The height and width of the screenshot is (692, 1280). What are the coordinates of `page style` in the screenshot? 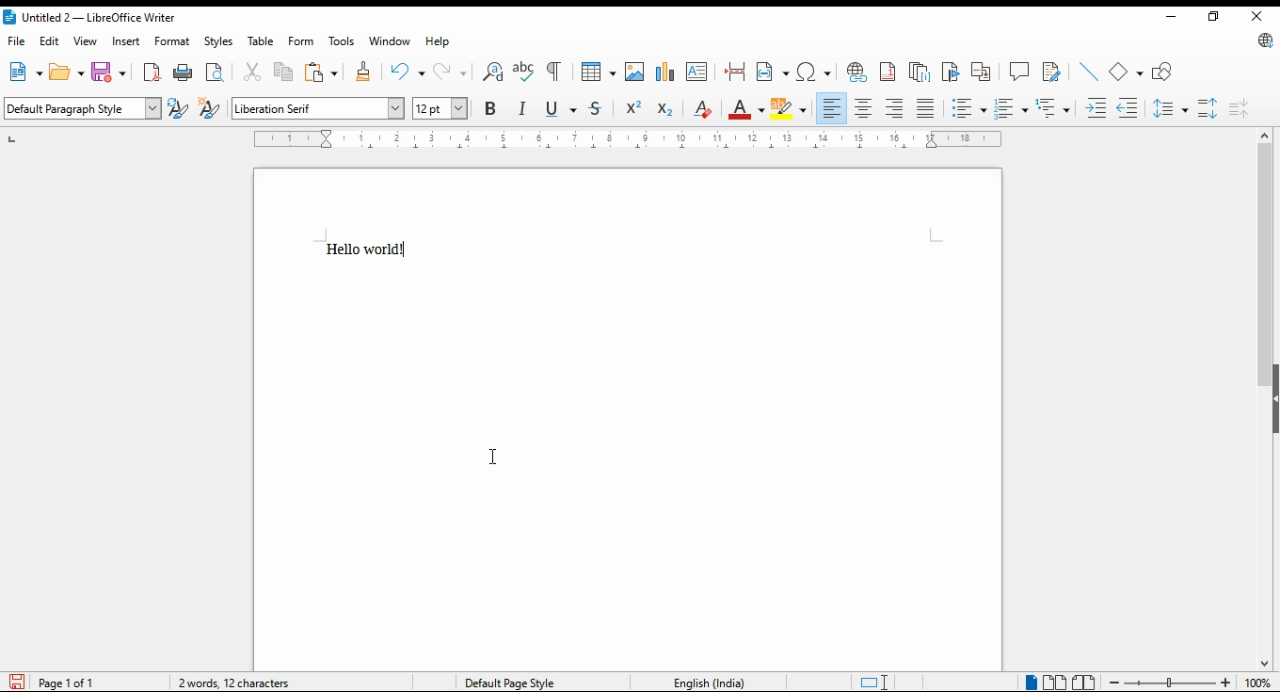 It's located at (524, 682).